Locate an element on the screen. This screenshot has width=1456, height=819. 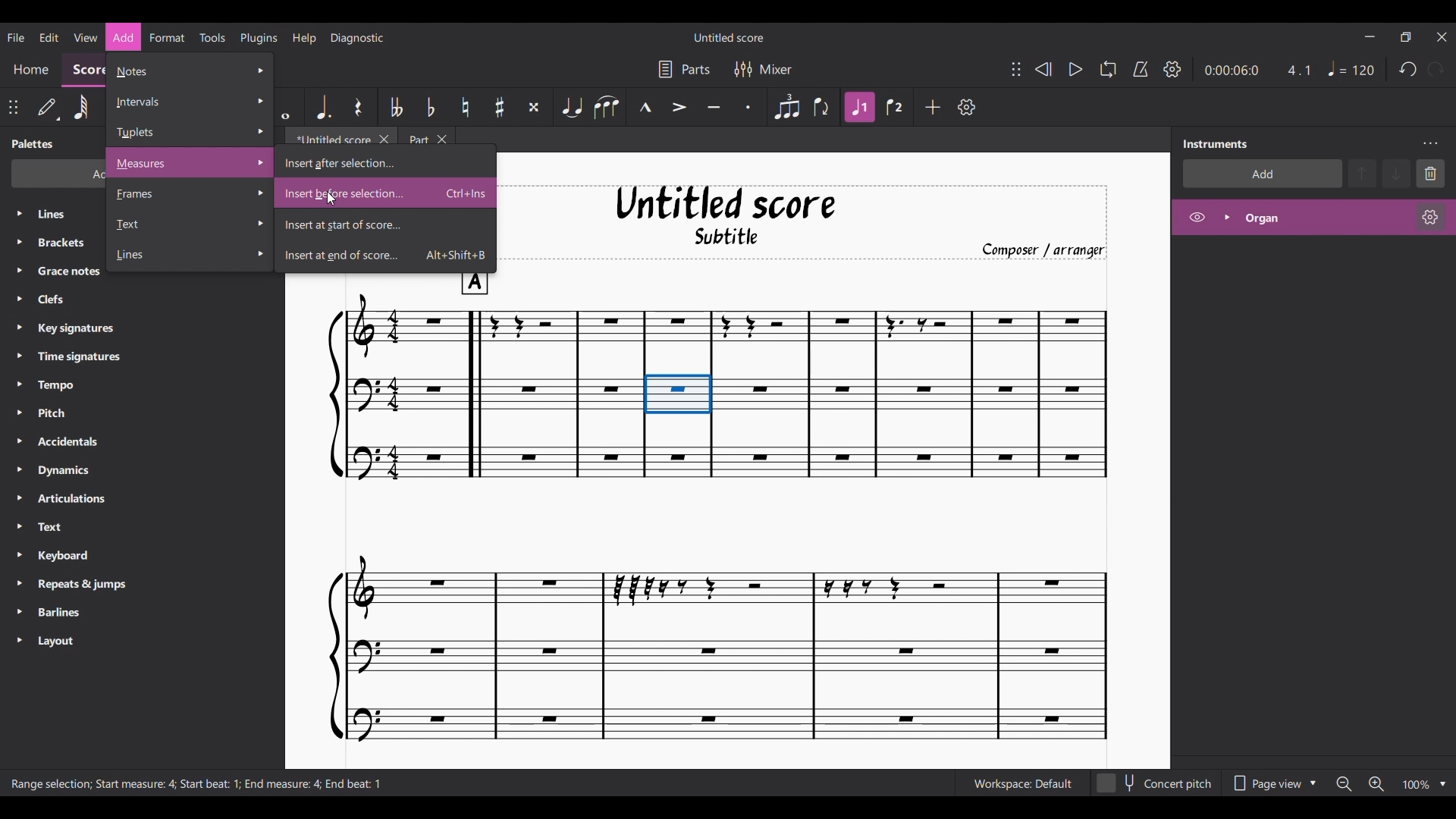
Delete is located at coordinates (1431, 173).